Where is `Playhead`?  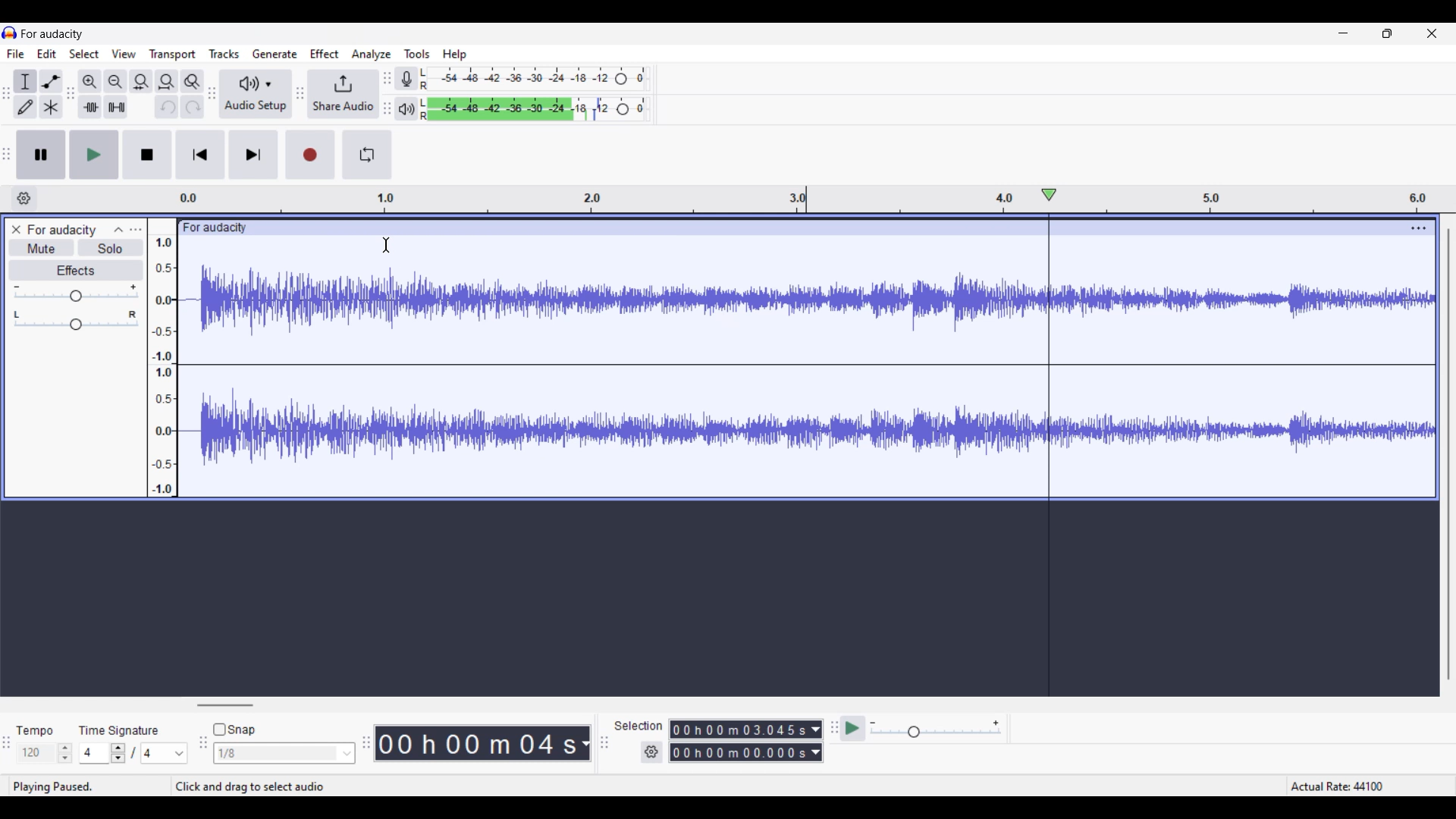
Playhead is located at coordinates (1050, 441).